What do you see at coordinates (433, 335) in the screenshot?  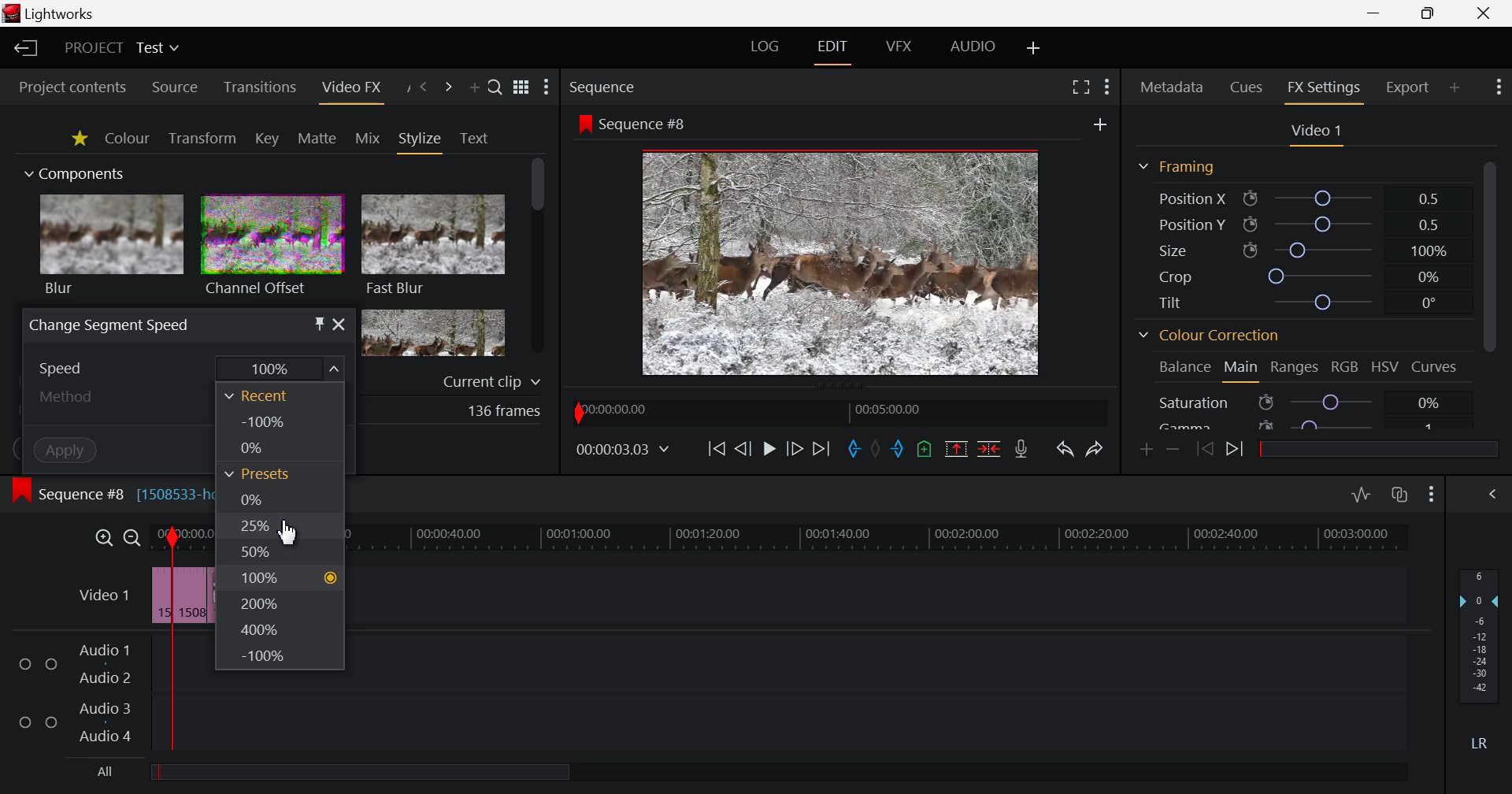 I see `Posterize` at bounding box center [433, 335].